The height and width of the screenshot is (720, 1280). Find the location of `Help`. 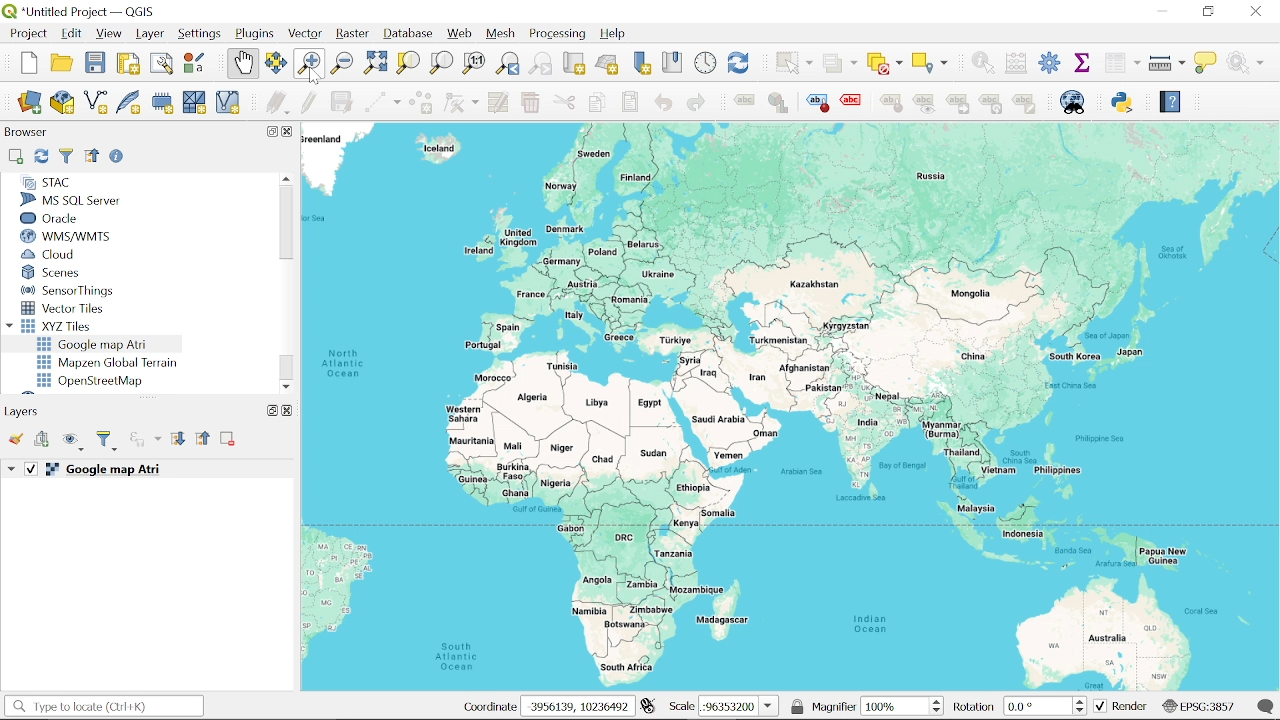

Help is located at coordinates (618, 35).